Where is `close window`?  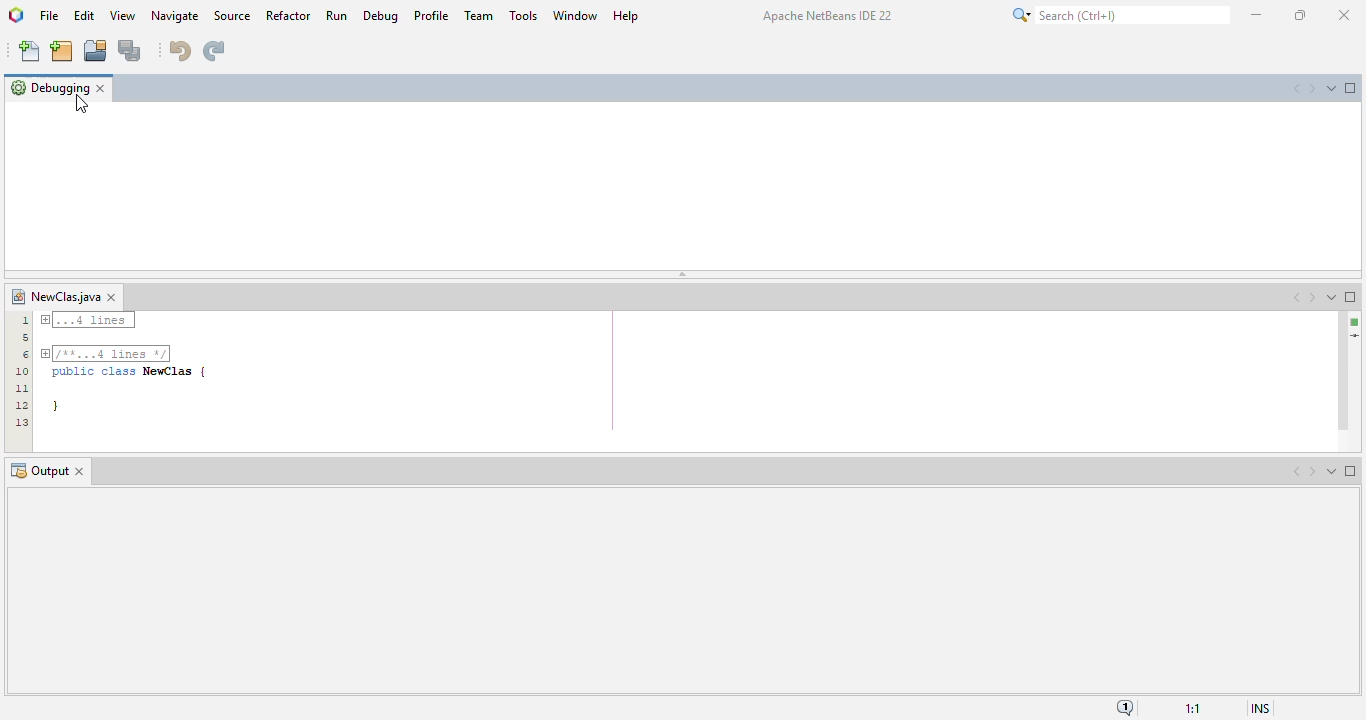
close window is located at coordinates (100, 88).